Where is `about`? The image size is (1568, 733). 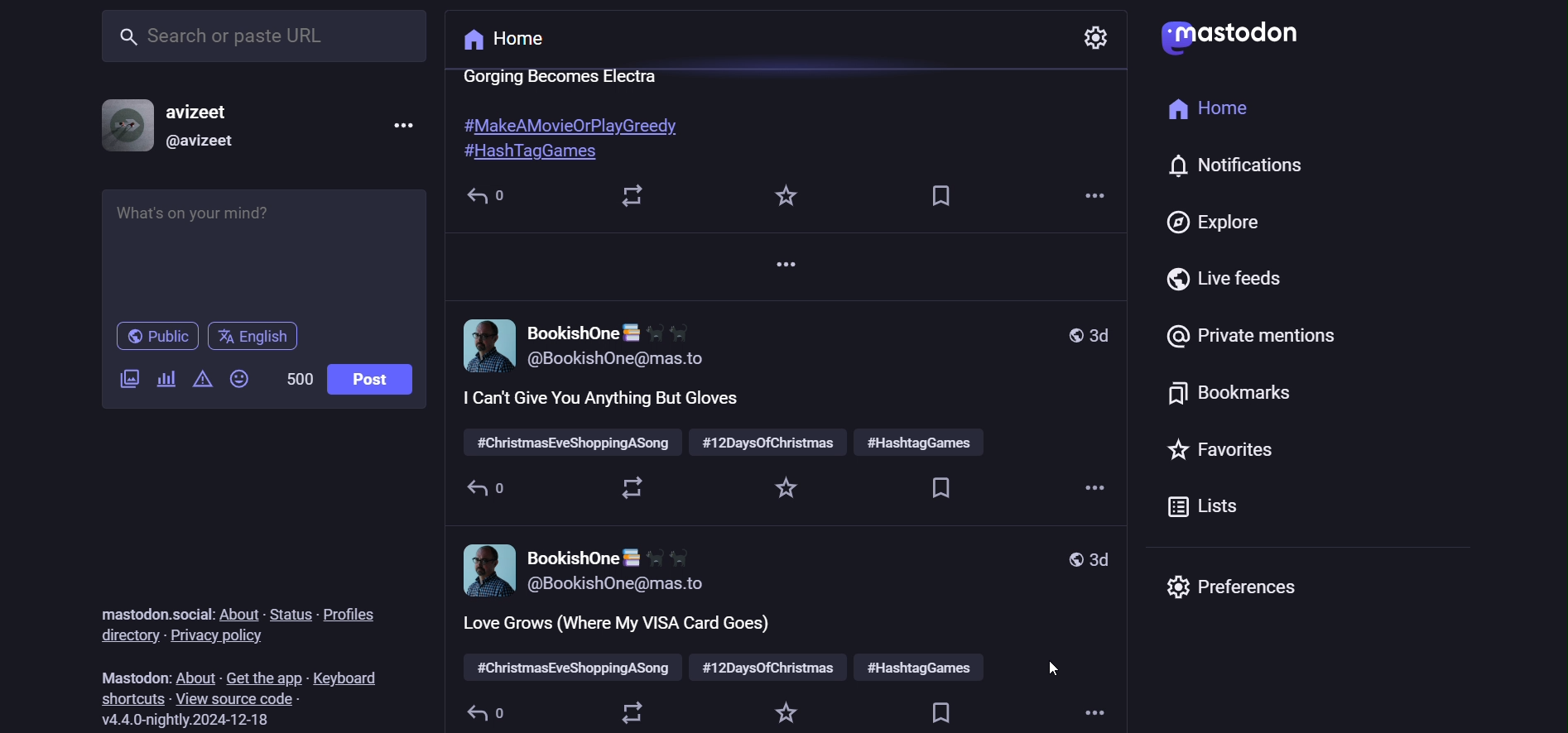 about is located at coordinates (238, 611).